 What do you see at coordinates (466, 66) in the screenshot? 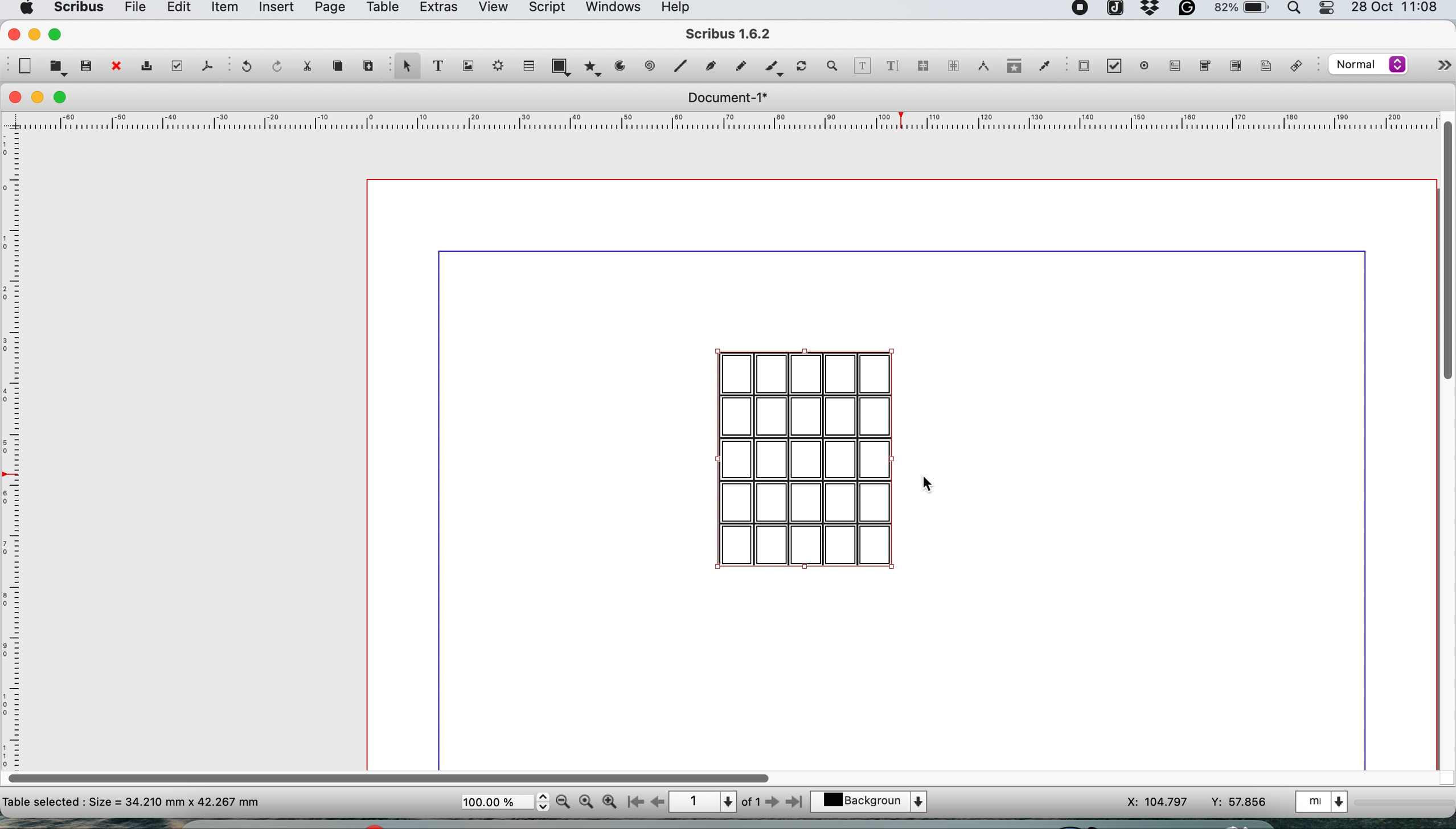
I see `image frame` at bounding box center [466, 66].